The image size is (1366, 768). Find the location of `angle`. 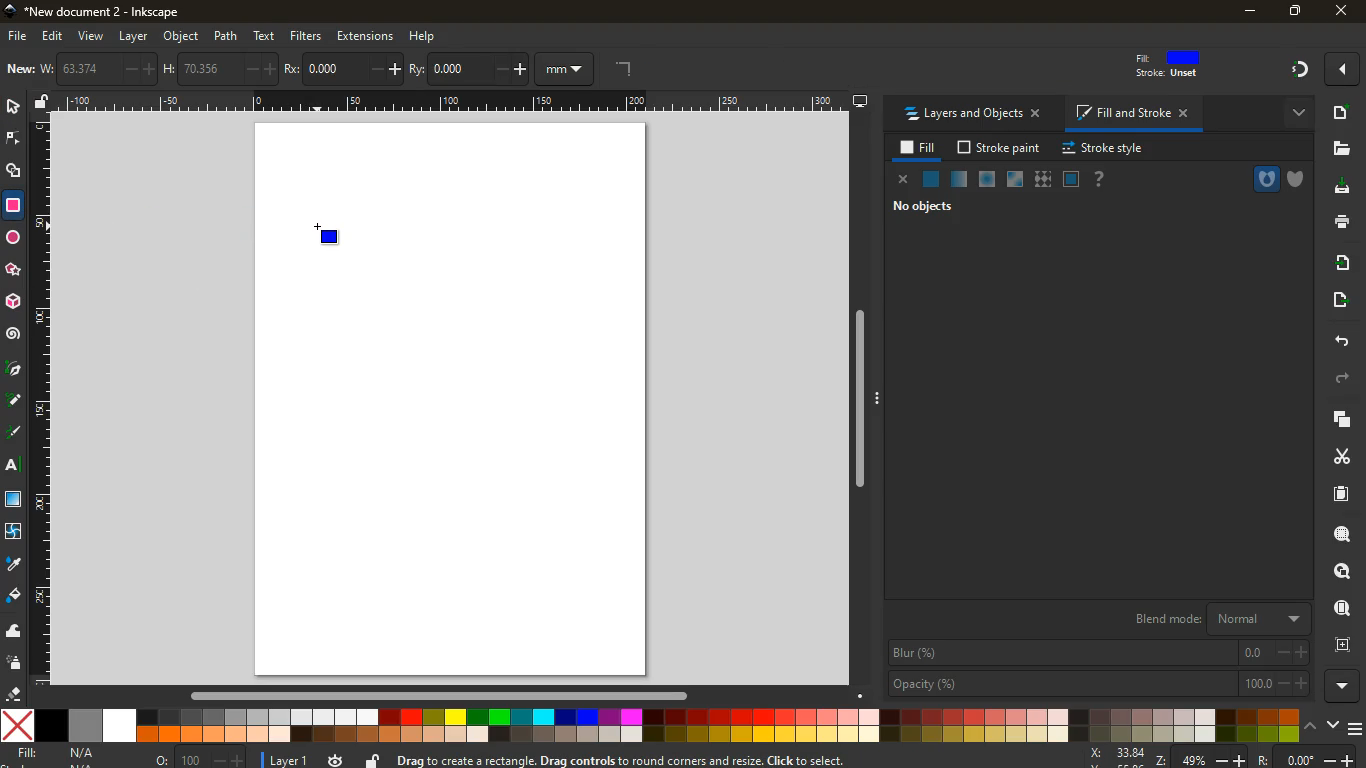

angle is located at coordinates (629, 70).